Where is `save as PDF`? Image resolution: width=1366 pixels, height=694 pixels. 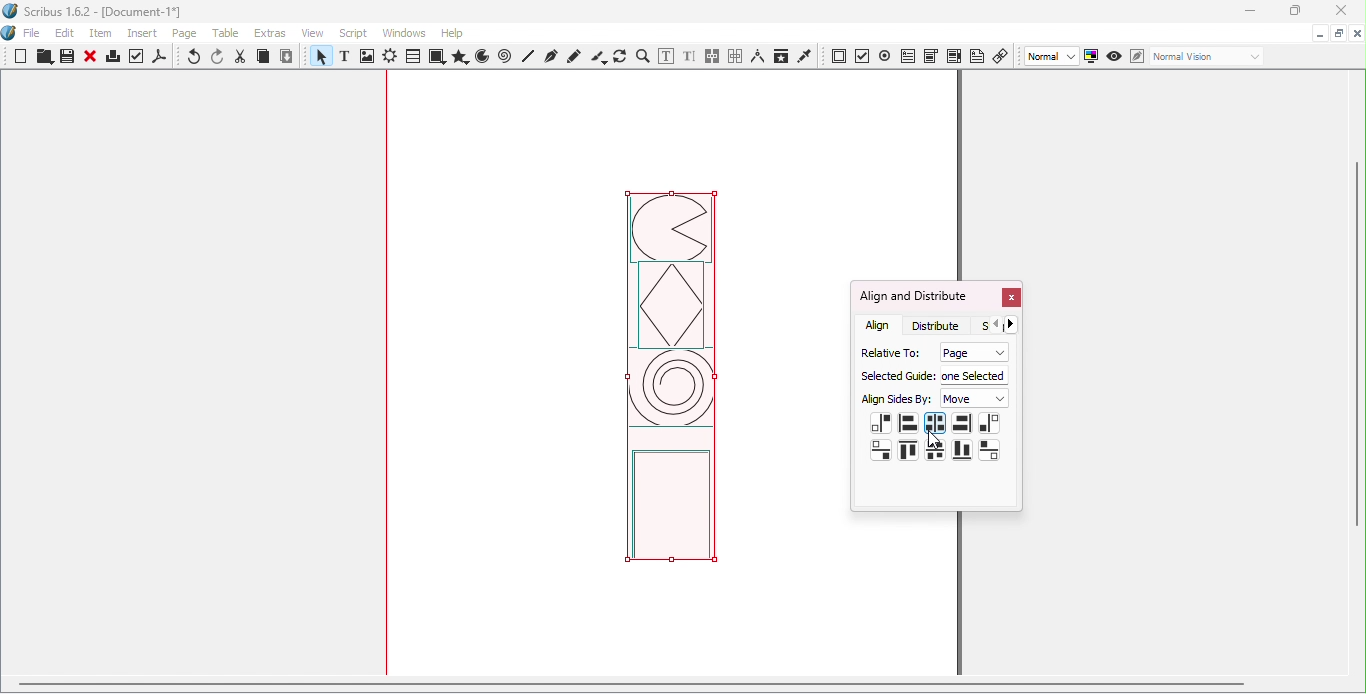 save as PDF is located at coordinates (161, 59).